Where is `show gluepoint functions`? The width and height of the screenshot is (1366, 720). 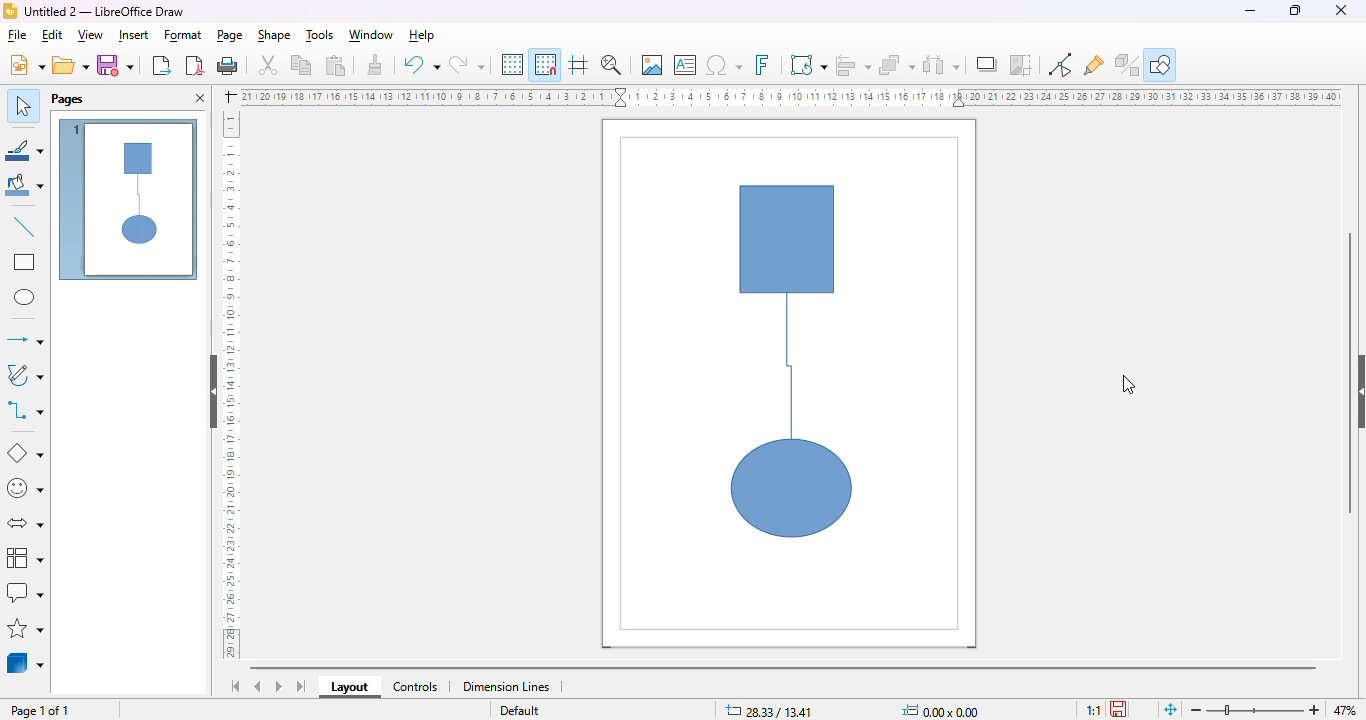
show gluepoint functions is located at coordinates (1059, 65).